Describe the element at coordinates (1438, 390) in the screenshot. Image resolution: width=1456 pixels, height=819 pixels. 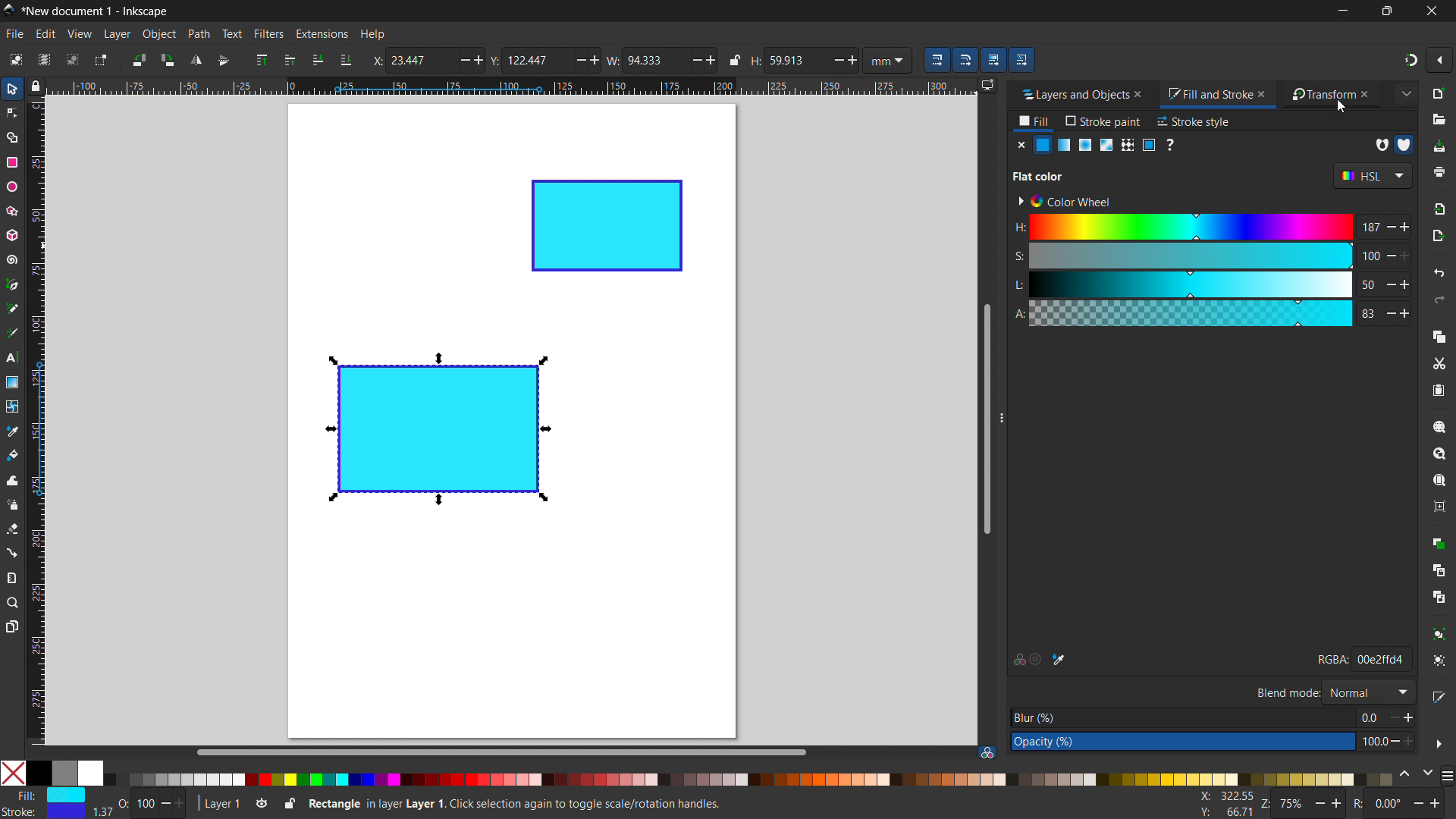
I see `paste` at that location.